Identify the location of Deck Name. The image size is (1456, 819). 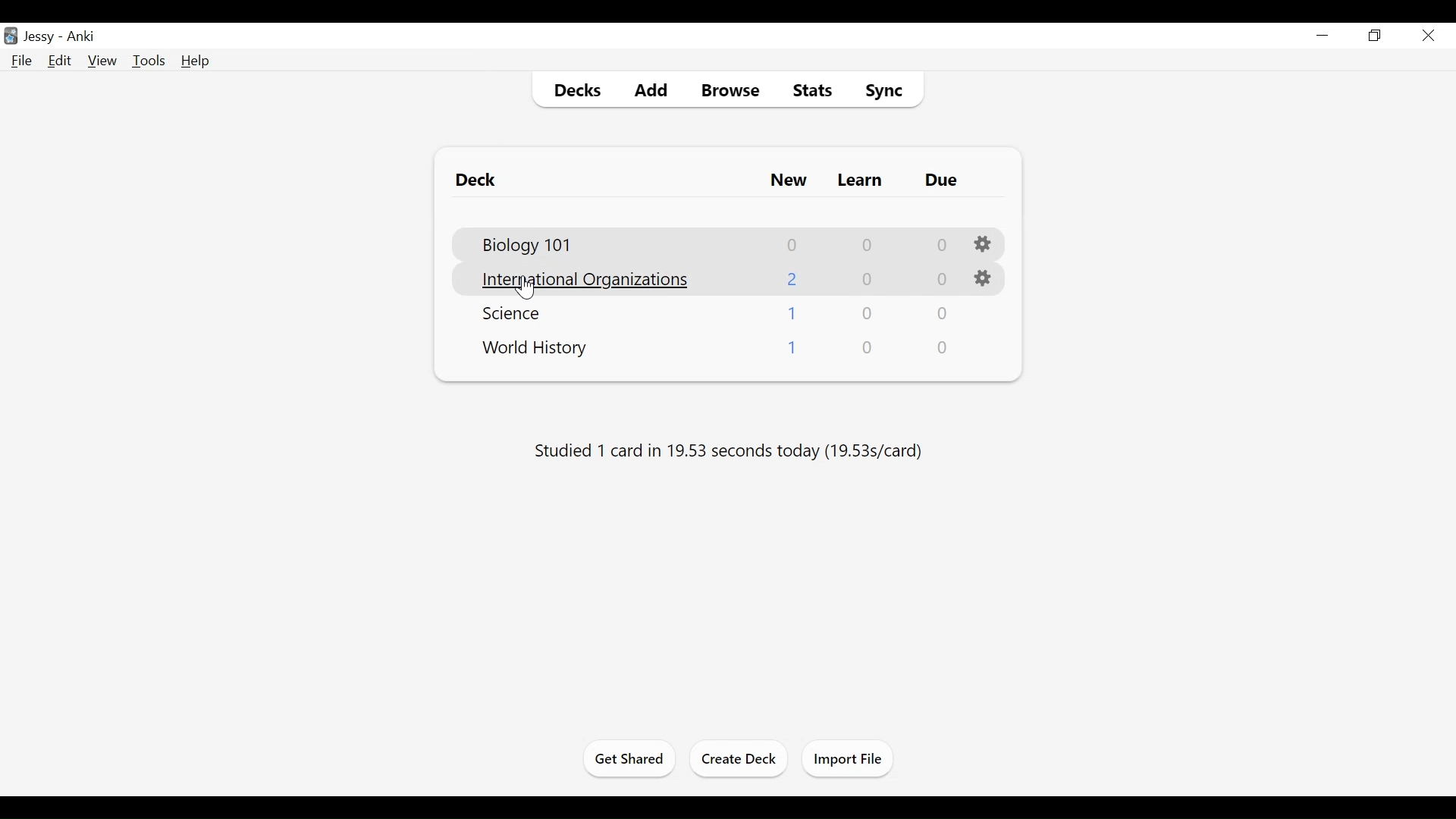
(522, 247).